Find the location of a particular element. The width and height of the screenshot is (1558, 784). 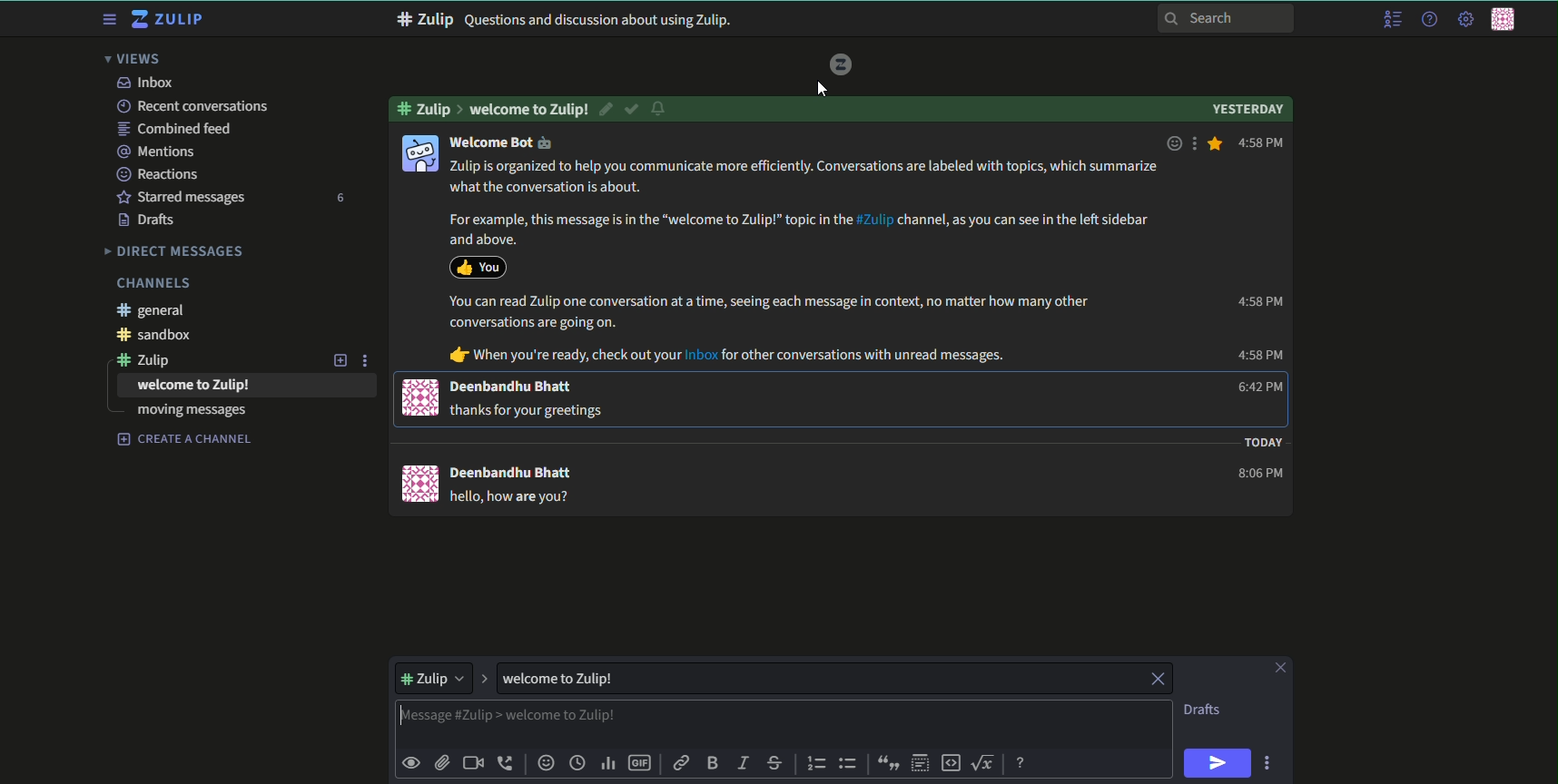

mentions is located at coordinates (159, 151).